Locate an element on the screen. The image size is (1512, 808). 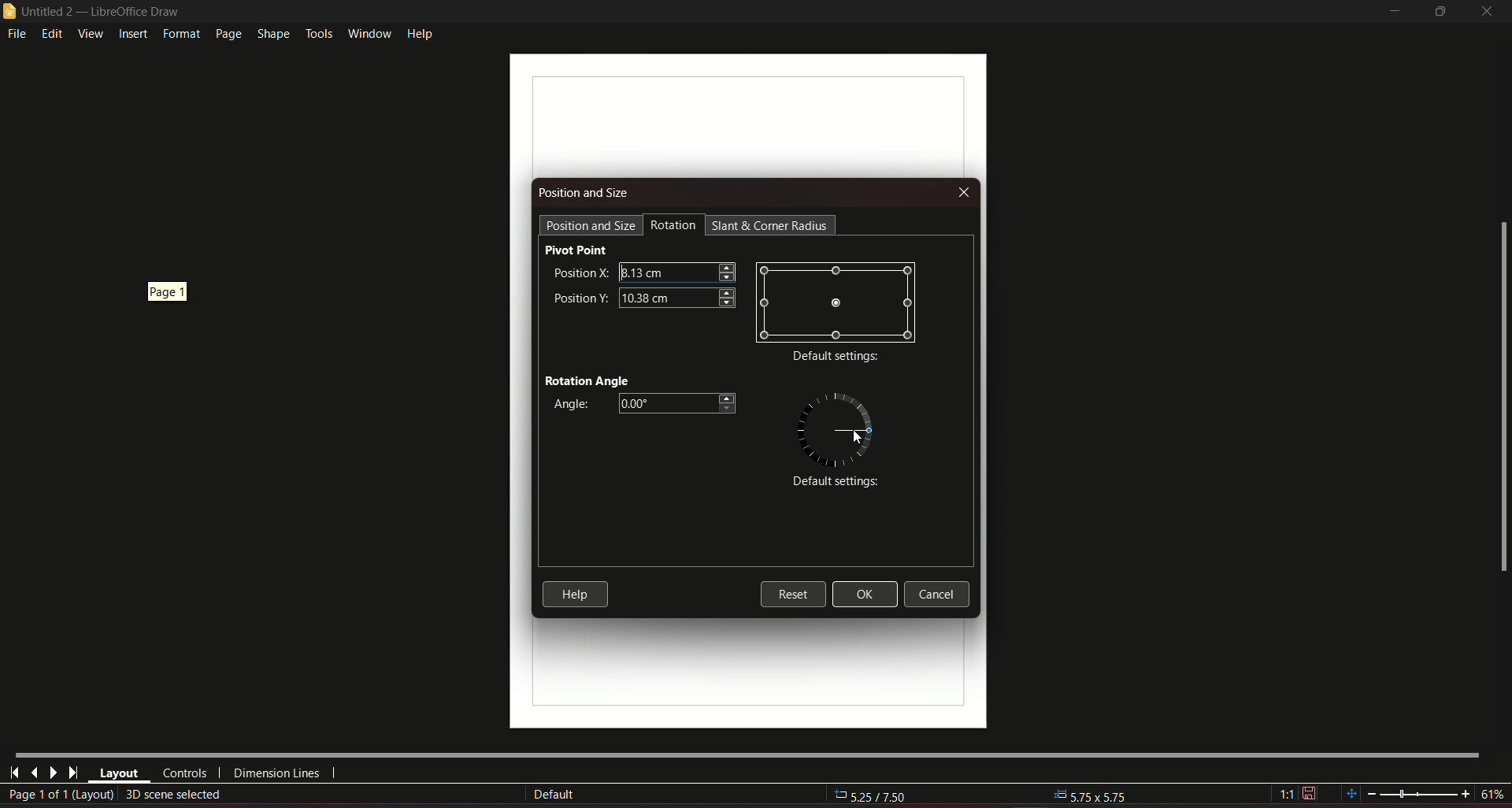
Position Y is located at coordinates (580, 296).